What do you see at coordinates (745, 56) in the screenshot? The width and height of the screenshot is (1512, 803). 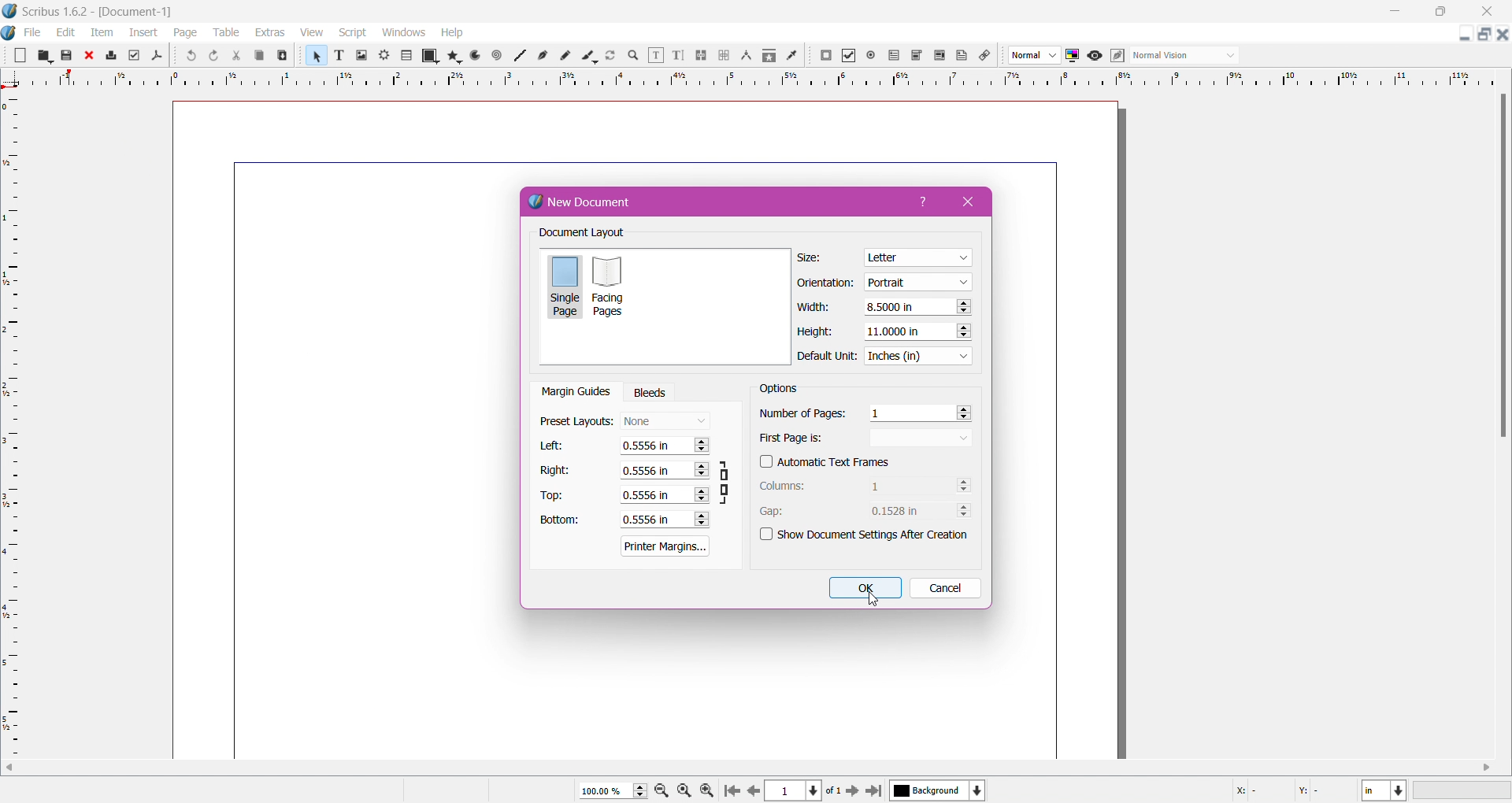 I see `icon` at bounding box center [745, 56].